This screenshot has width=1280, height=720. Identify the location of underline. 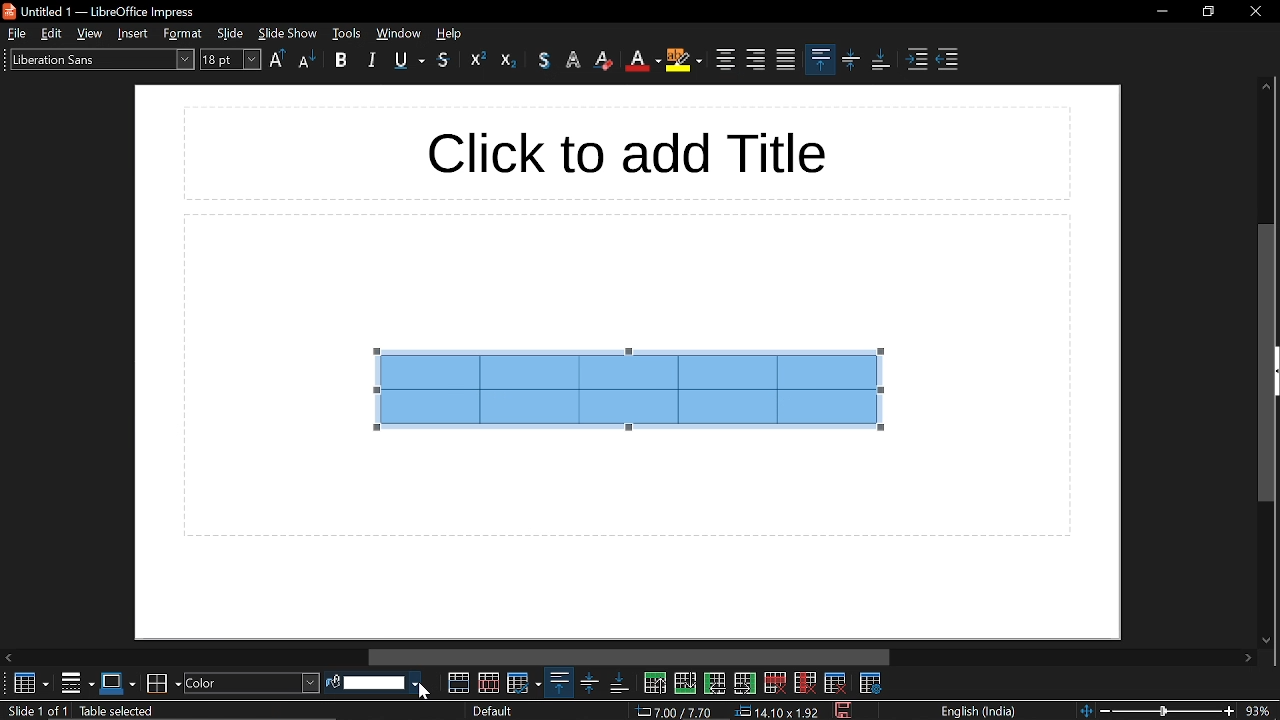
(409, 61).